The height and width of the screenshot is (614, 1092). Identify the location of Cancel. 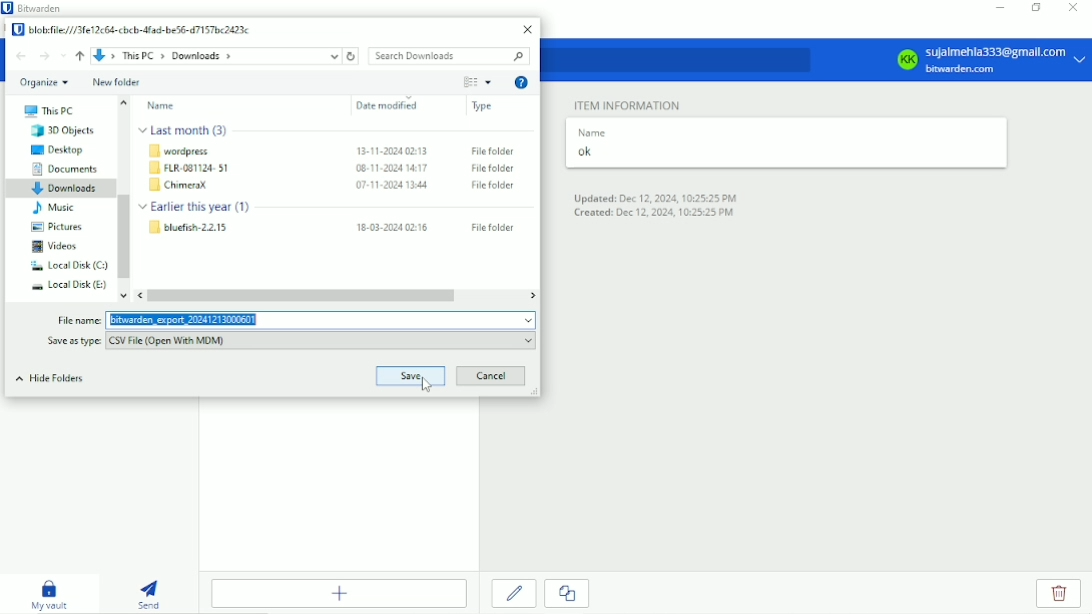
(492, 377).